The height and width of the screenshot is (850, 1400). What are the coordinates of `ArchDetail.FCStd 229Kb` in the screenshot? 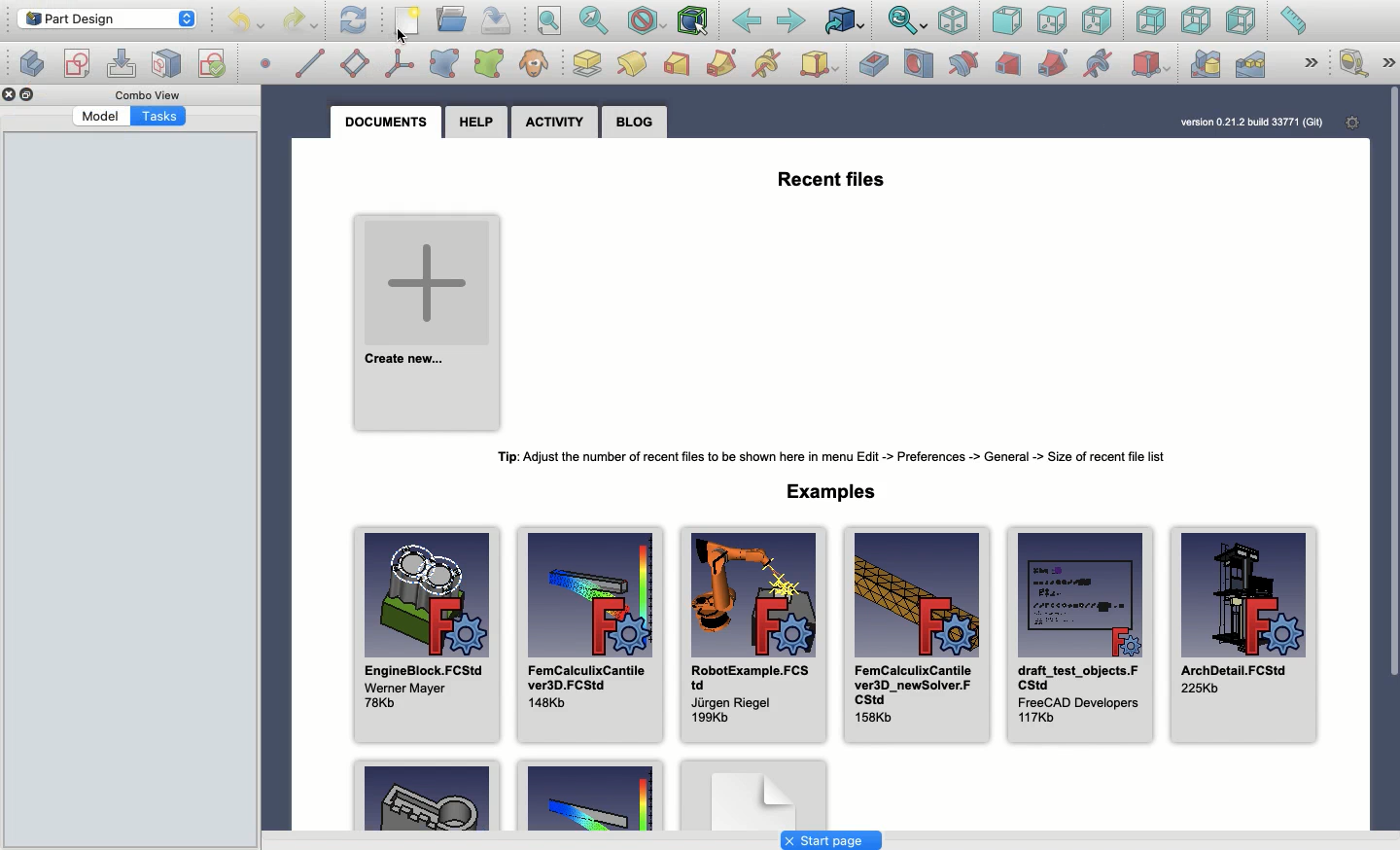 It's located at (1245, 634).